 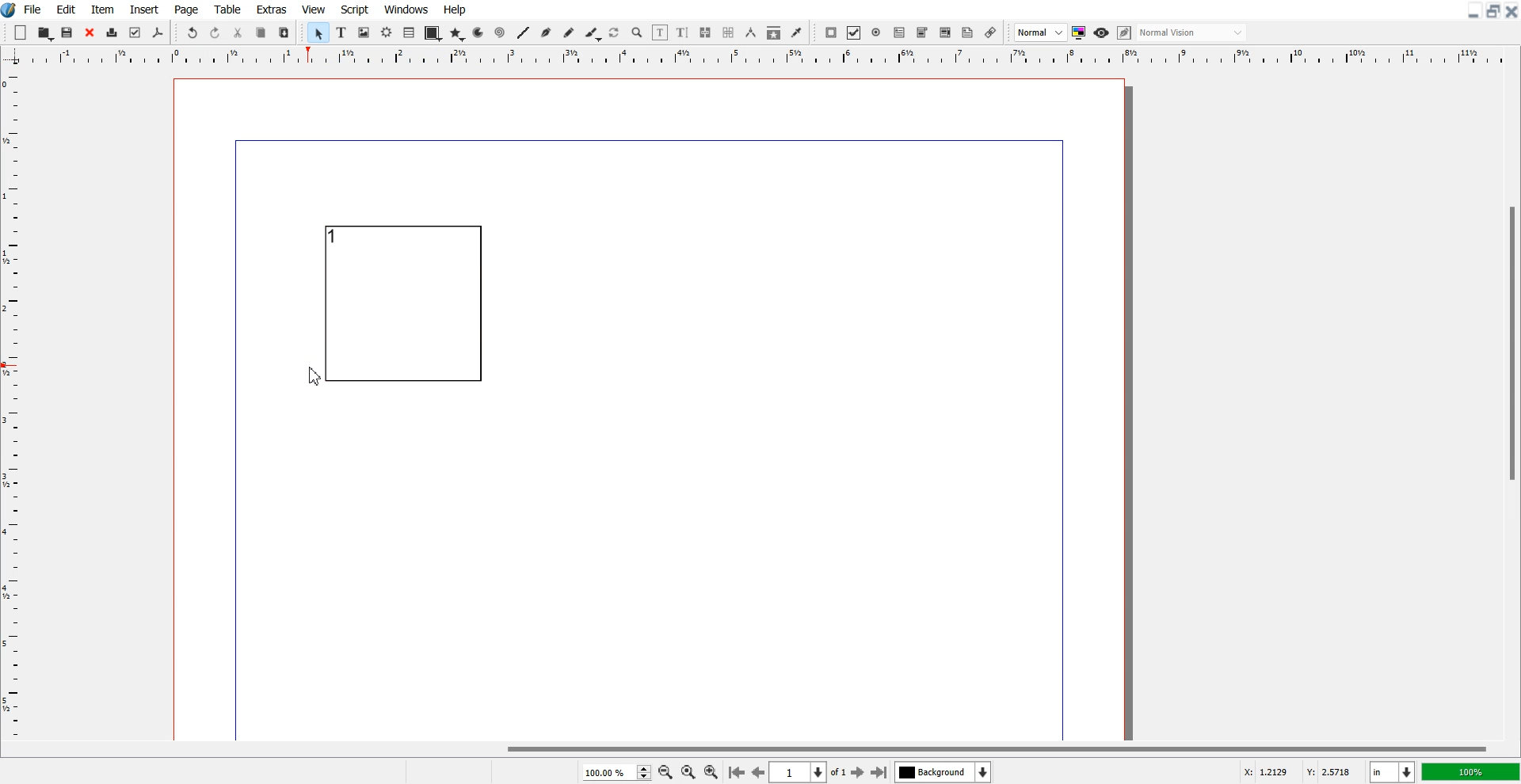 I want to click on Image Frame, so click(x=364, y=32).